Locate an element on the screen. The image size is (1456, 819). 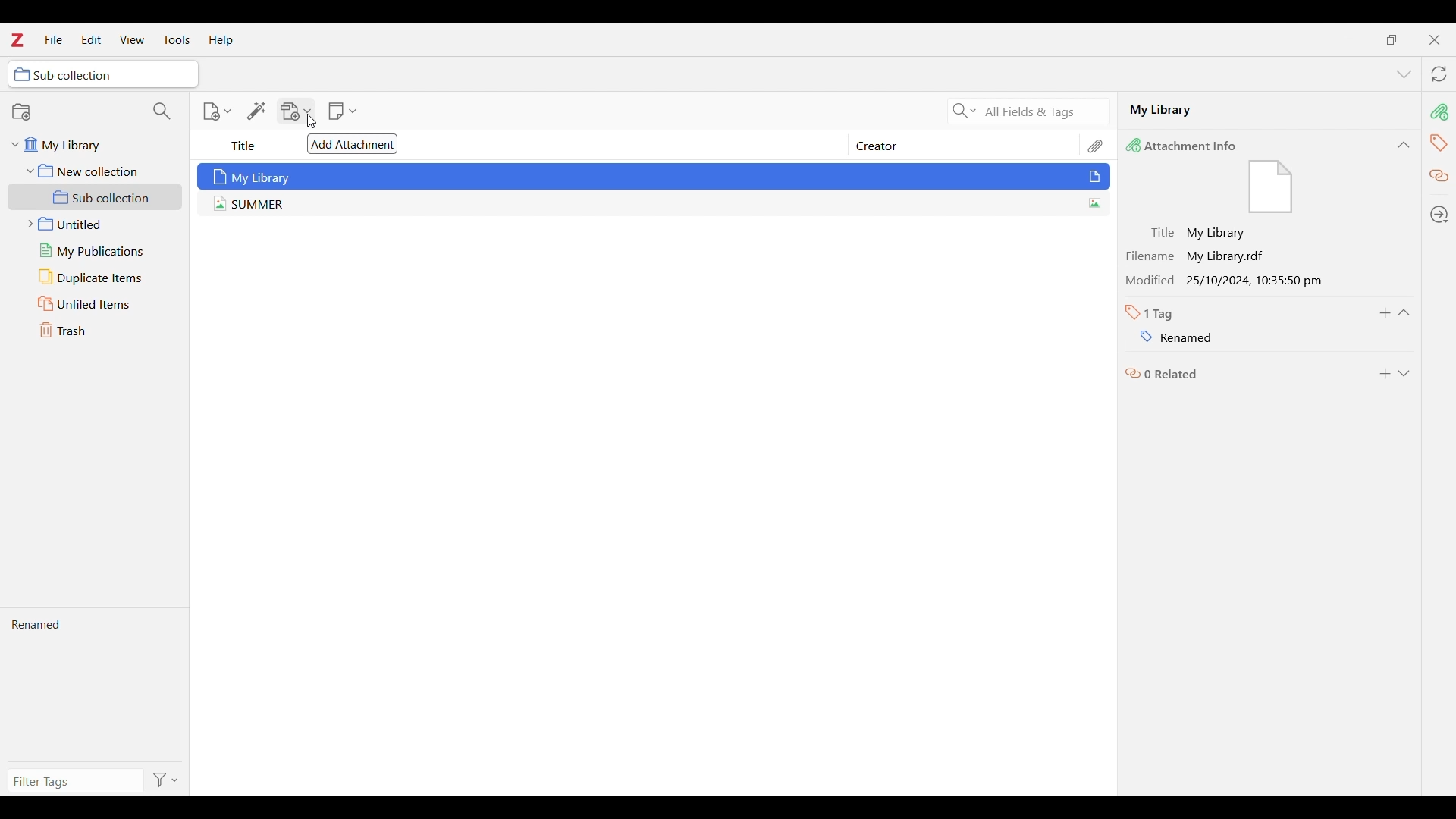
My Library is located at coordinates (655, 175).